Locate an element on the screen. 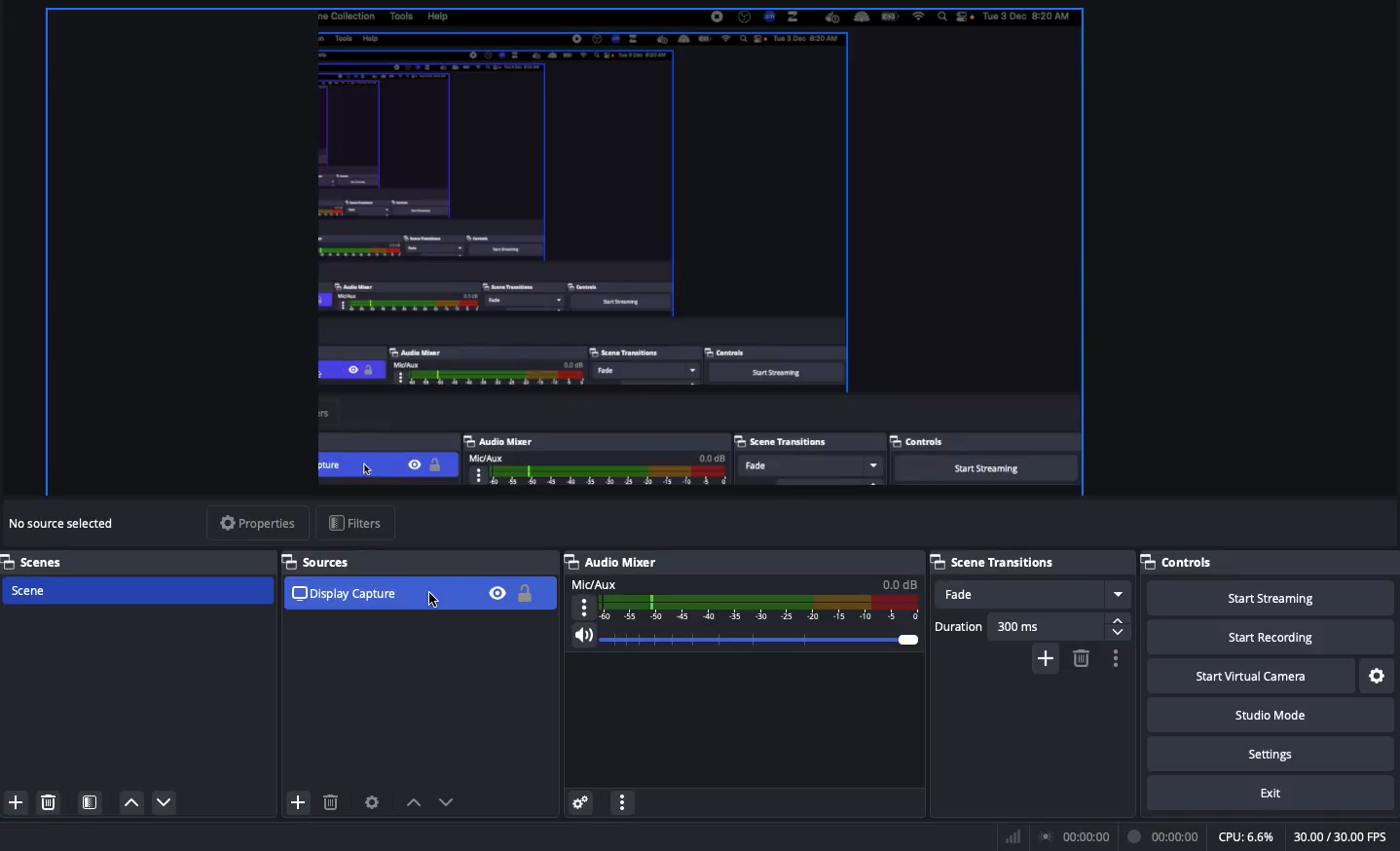  Properties is located at coordinates (256, 525).